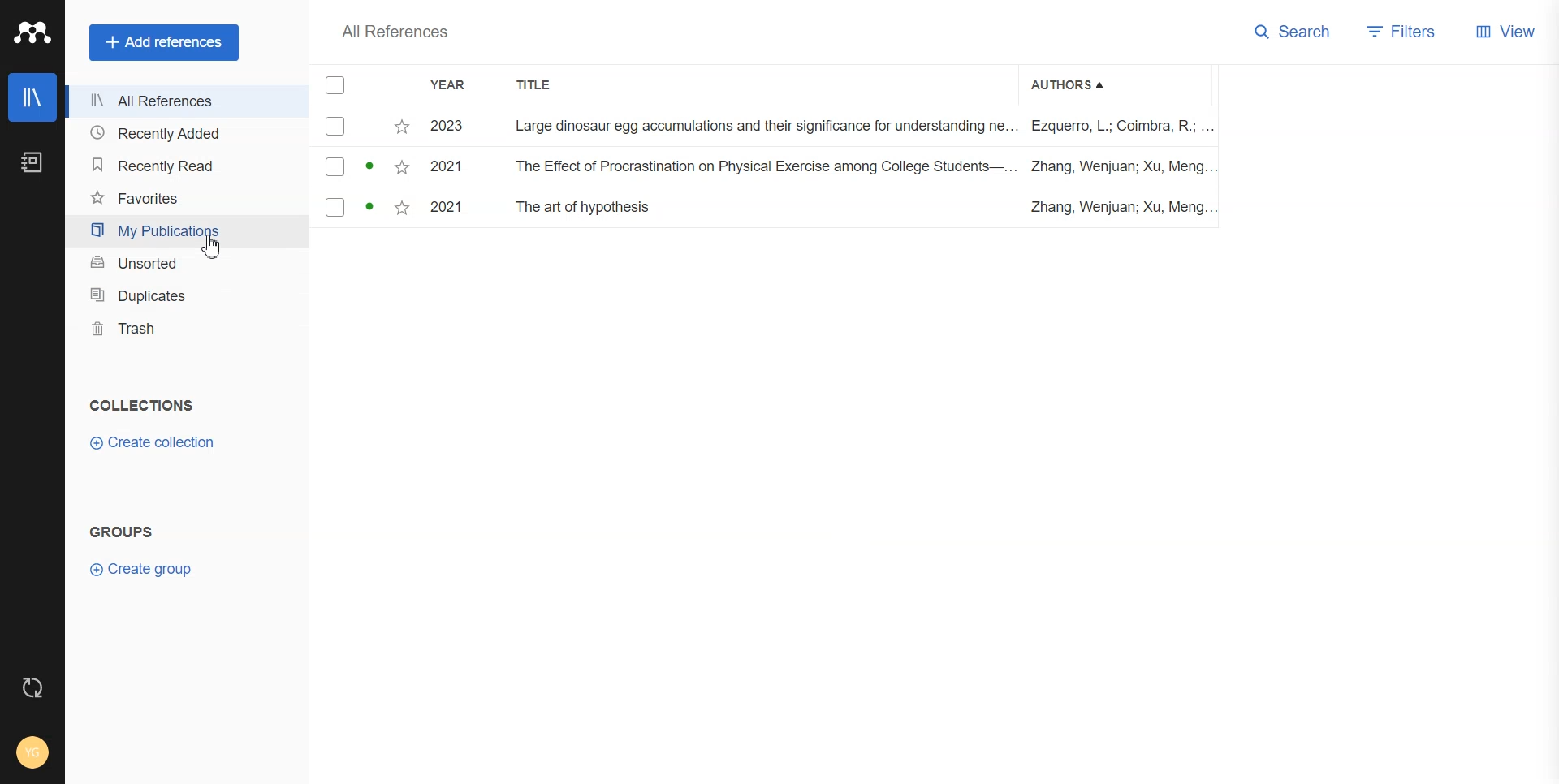 This screenshot has height=784, width=1559. Describe the element at coordinates (372, 166) in the screenshot. I see `Active dot` at that location.